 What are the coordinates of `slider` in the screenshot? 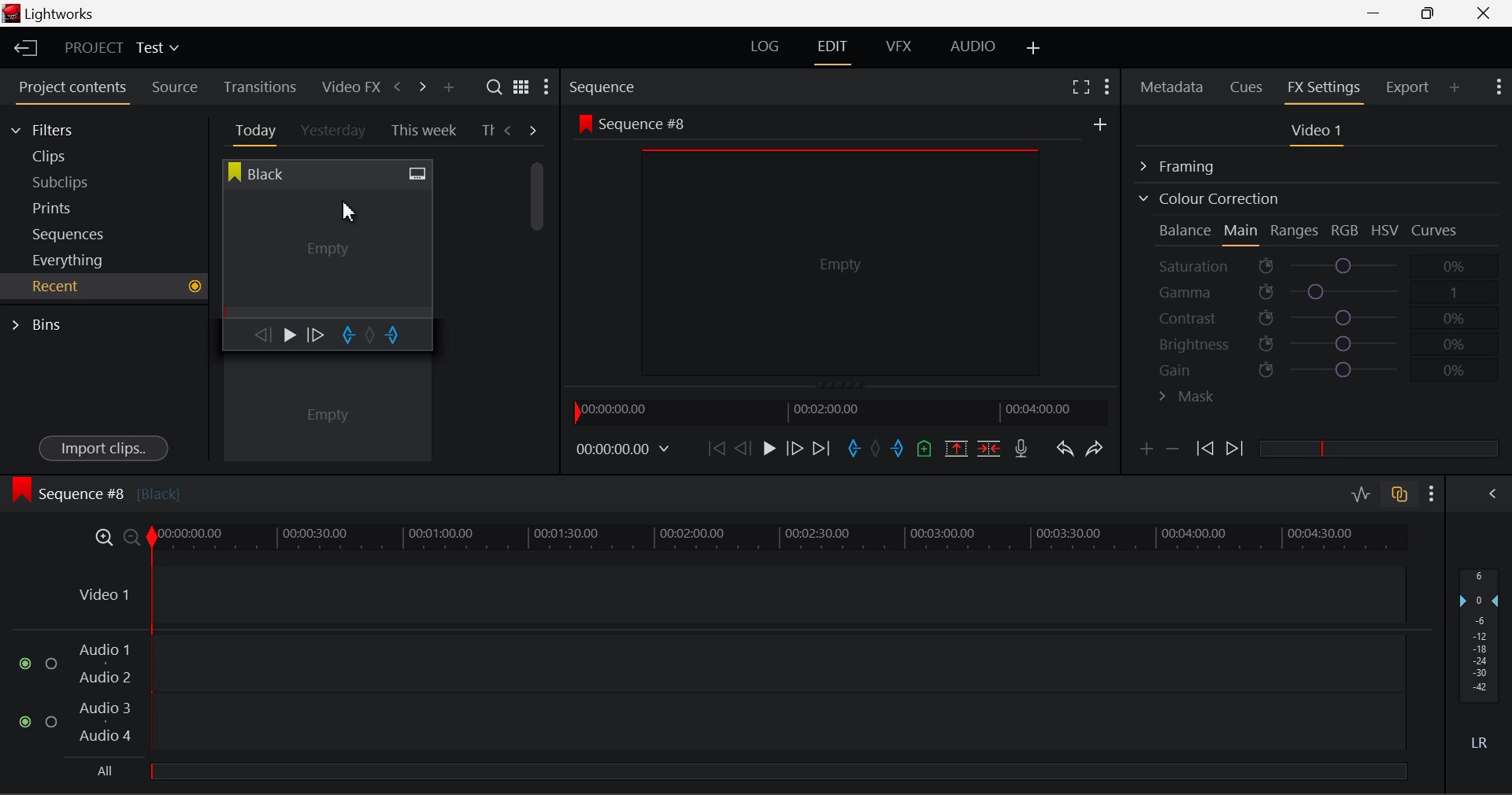 It's located at (1378, 448).